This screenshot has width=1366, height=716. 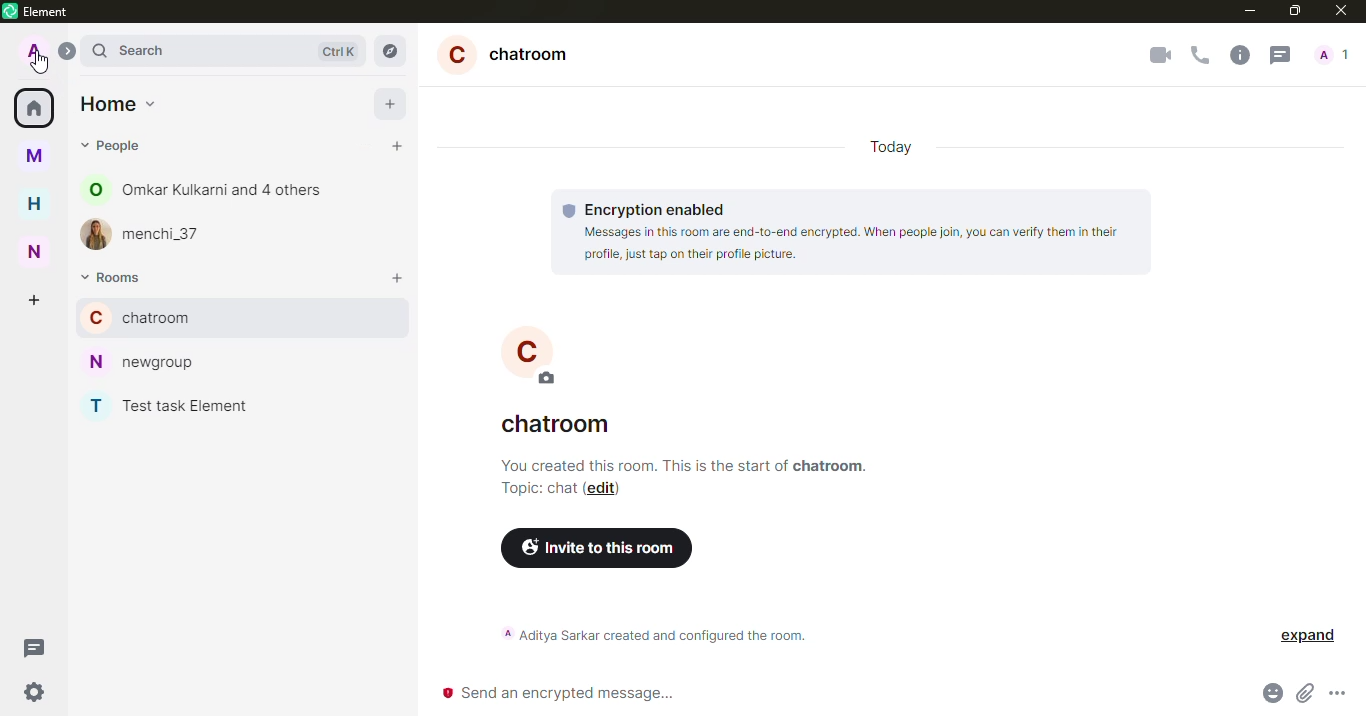 I want to click on profile, so click(x=35, y=44).